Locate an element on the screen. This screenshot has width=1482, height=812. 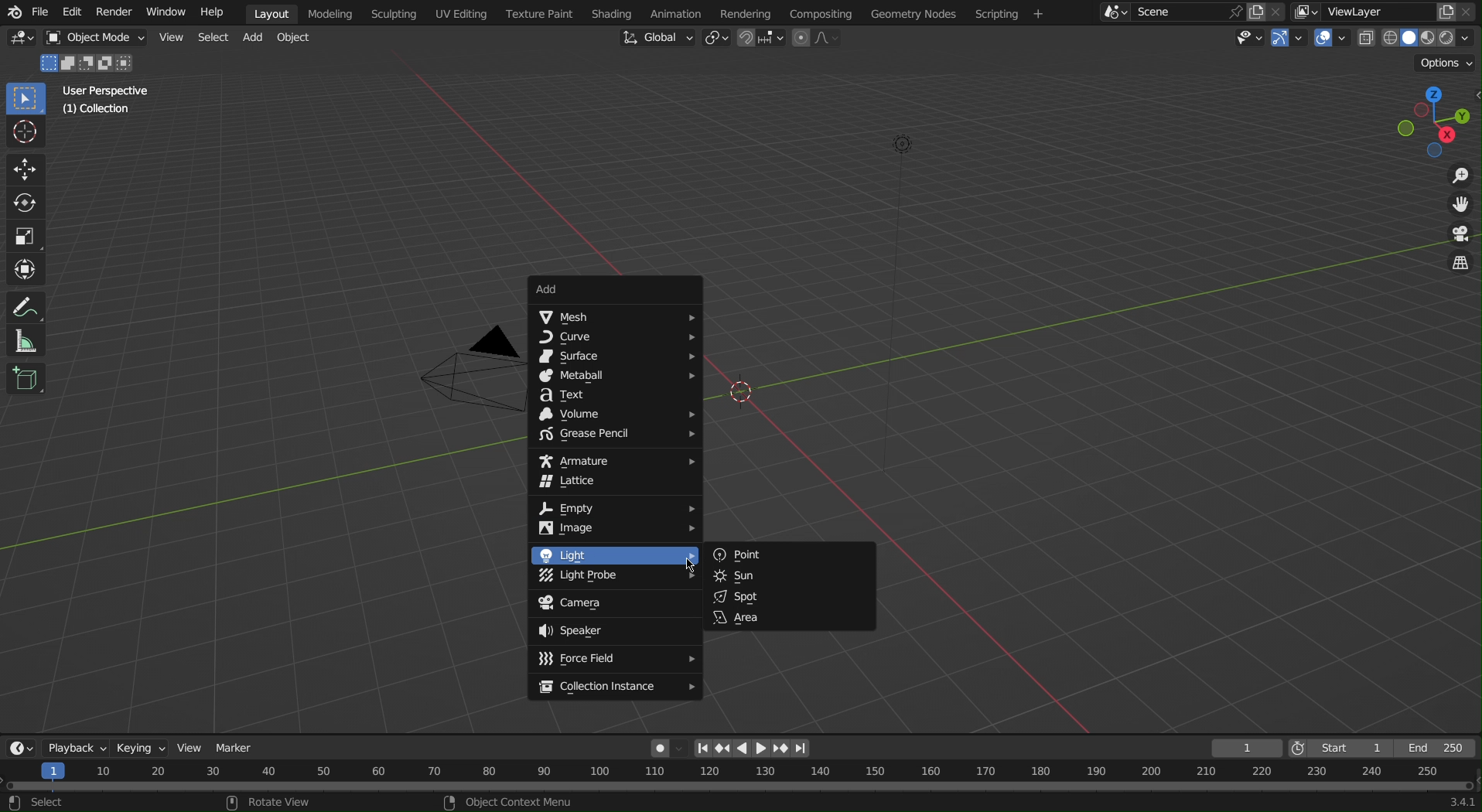
Surface is located at coordinates (613, 357).